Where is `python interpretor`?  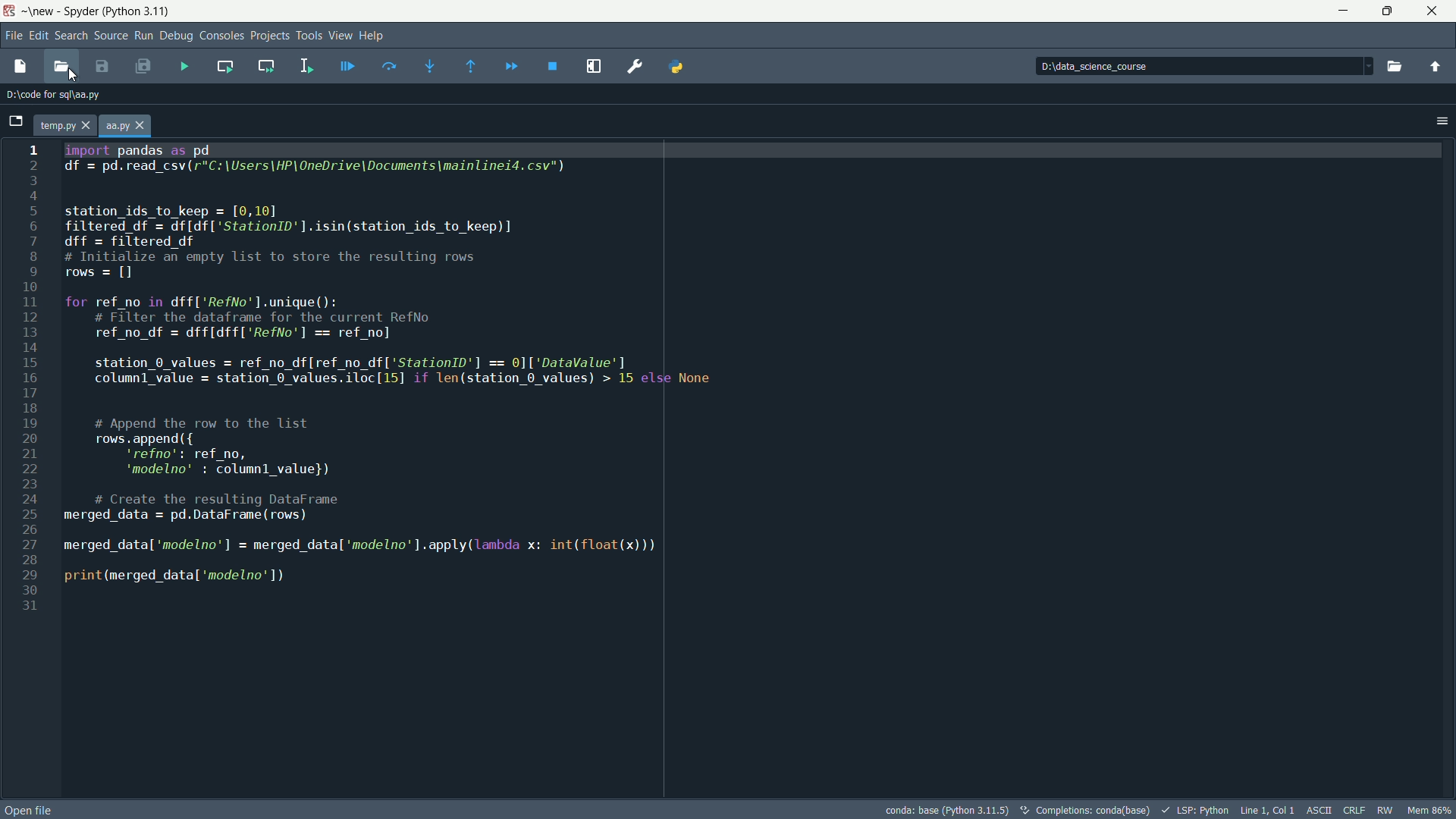
python interpretor is located at coordinates (945, 810).